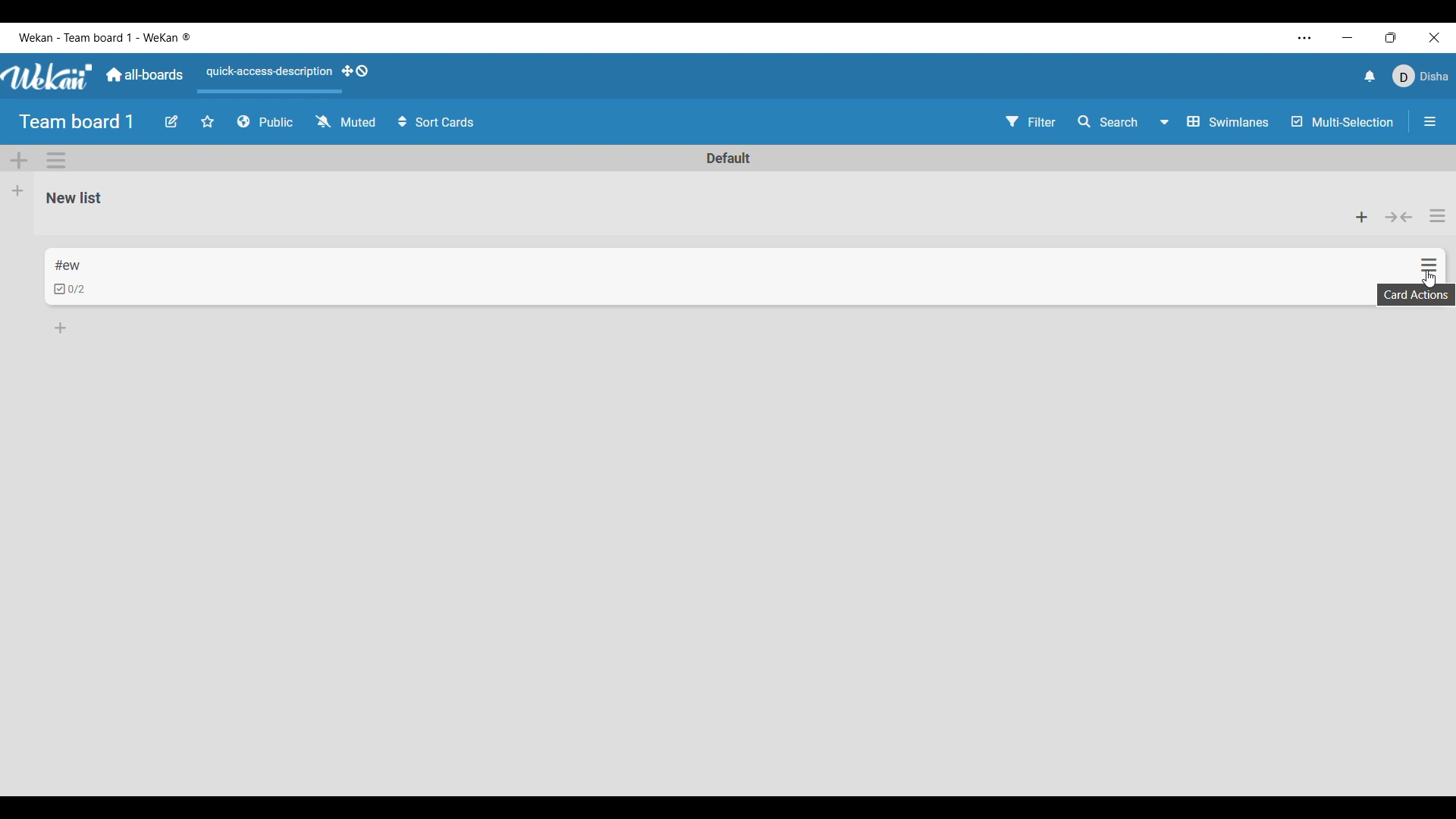 The height and width of the screenshot is (819, 1456). I want to click on List actions, so click(1438, 215).